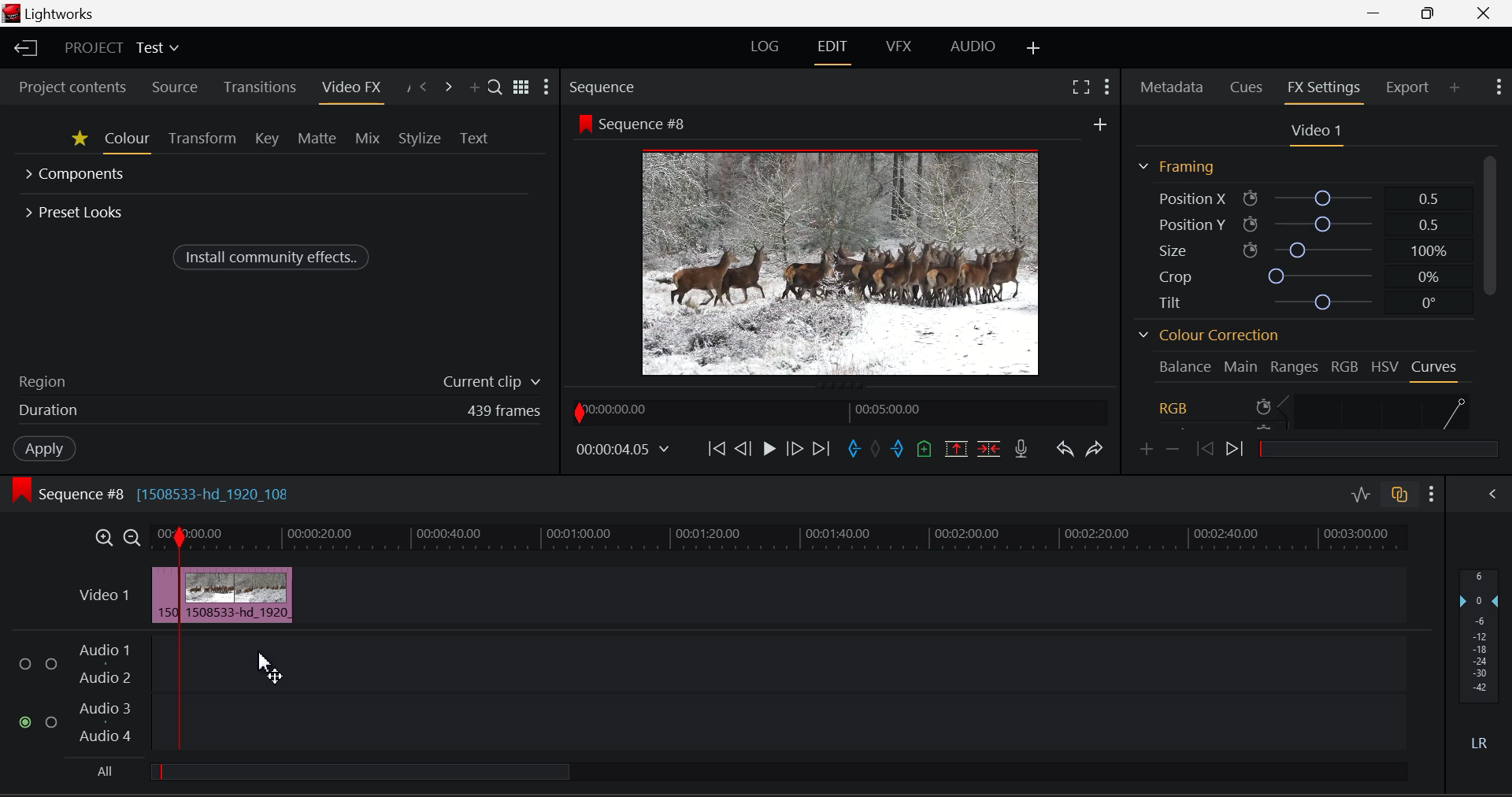 Image resolution: width=1512 pixels, height=797 pixels. I want to click on Add Panel, so click(472, 84).